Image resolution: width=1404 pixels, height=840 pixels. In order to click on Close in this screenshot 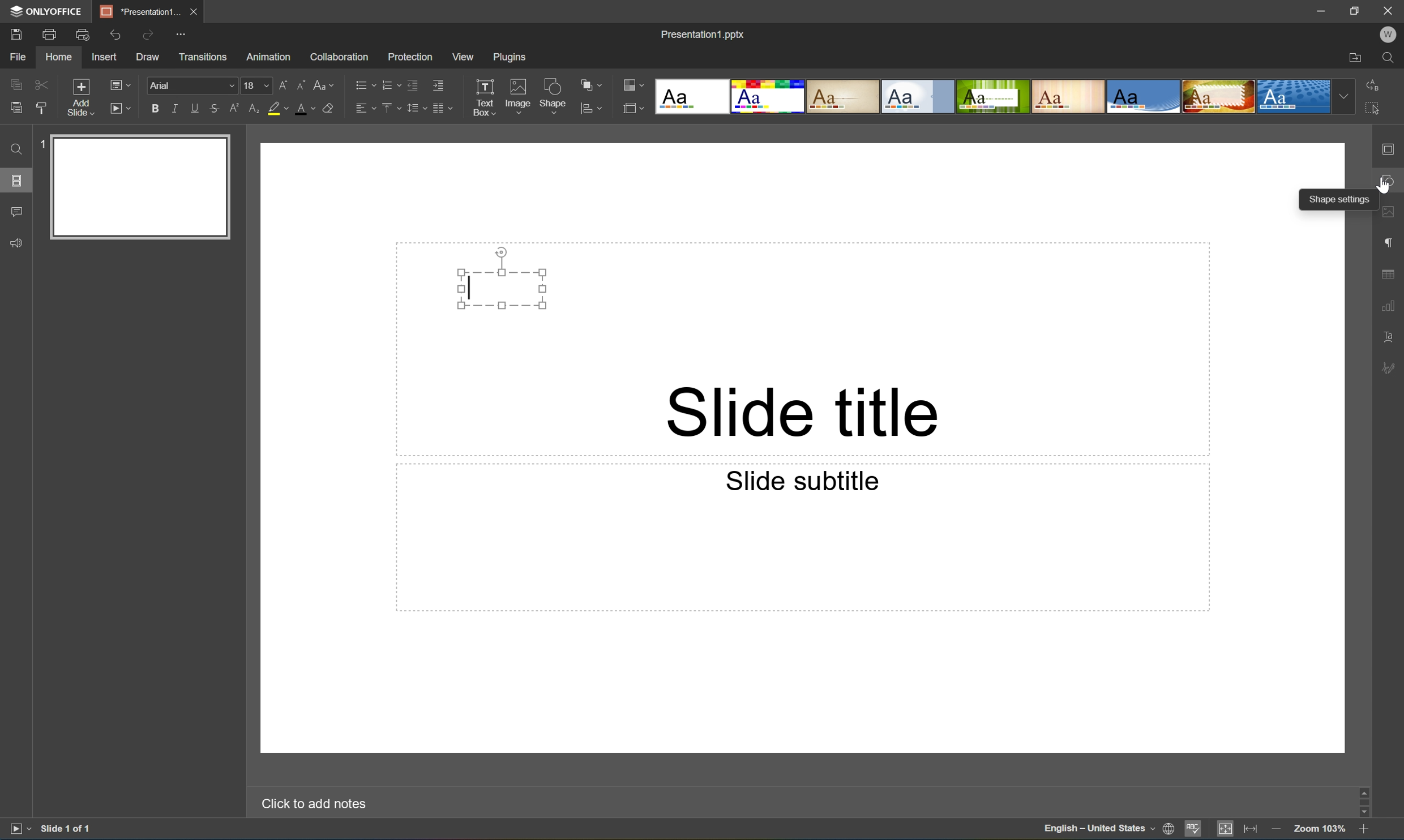, I will do `click(192, 10)`.